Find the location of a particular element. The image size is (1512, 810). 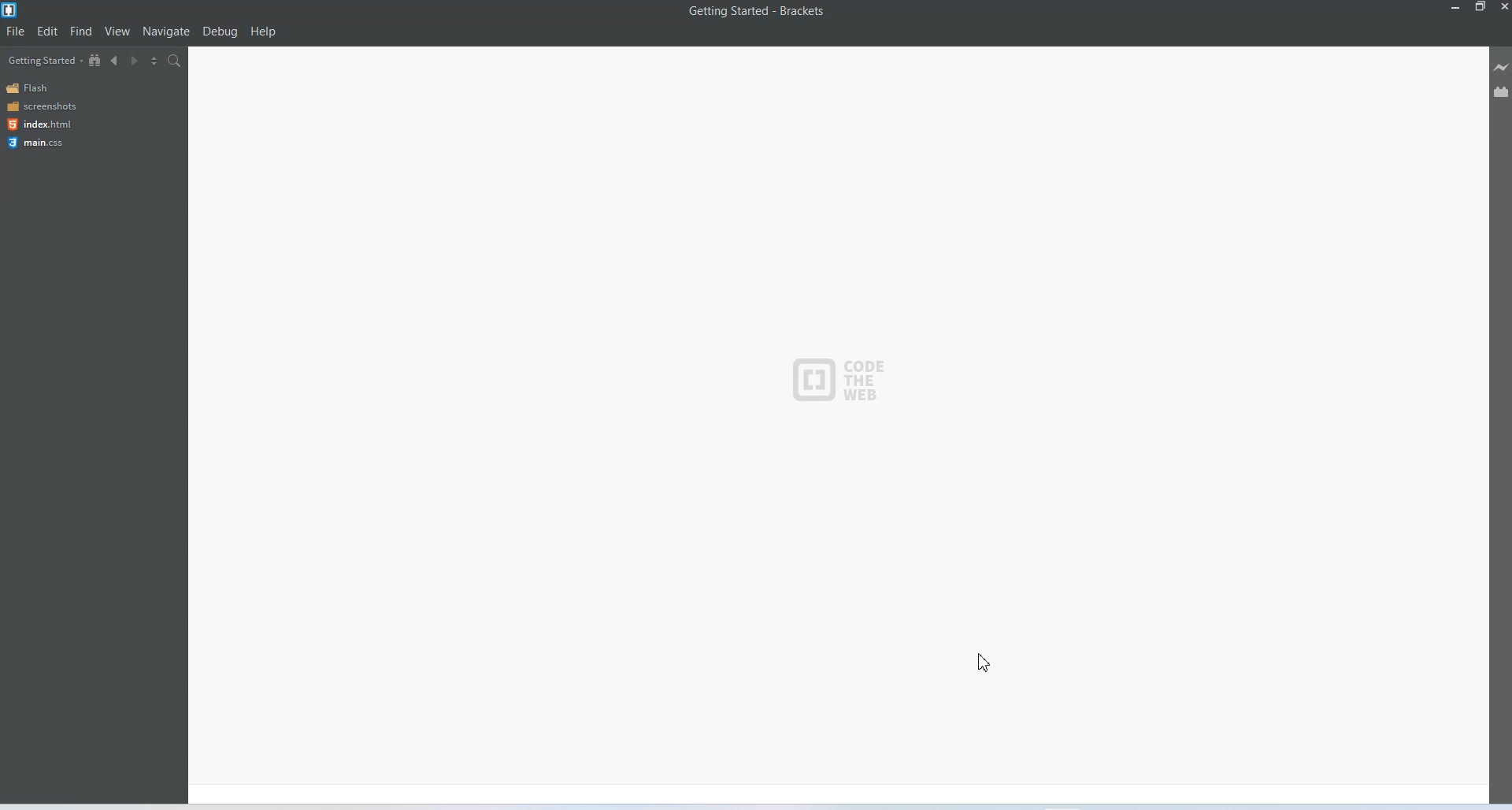

Screenshots is located at coordinates (53, 107).